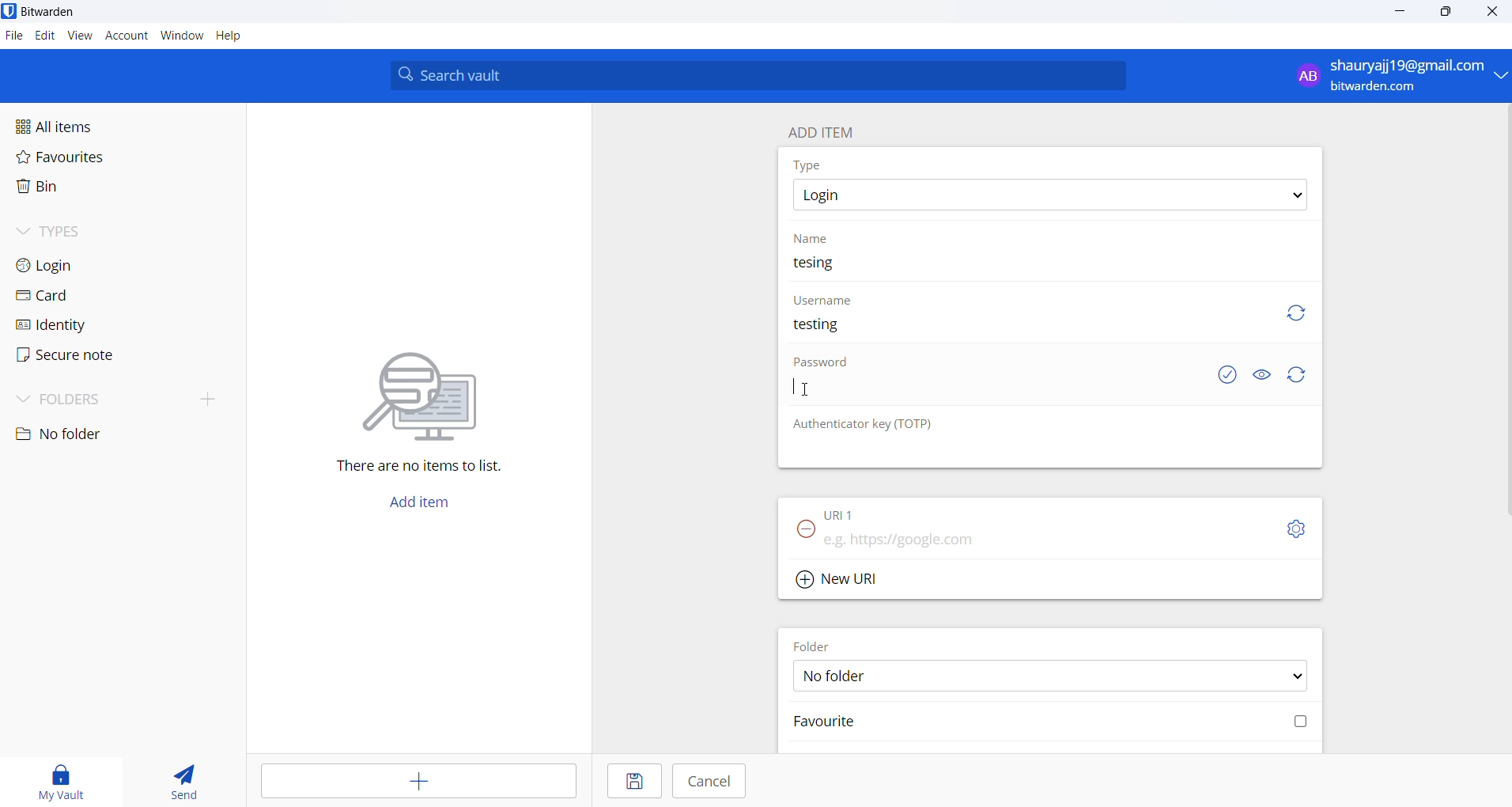 This screenshot has width=1512, height=807. Describe the element at coordinates (238, 37) in the screenshot. I see `Help` at that location.